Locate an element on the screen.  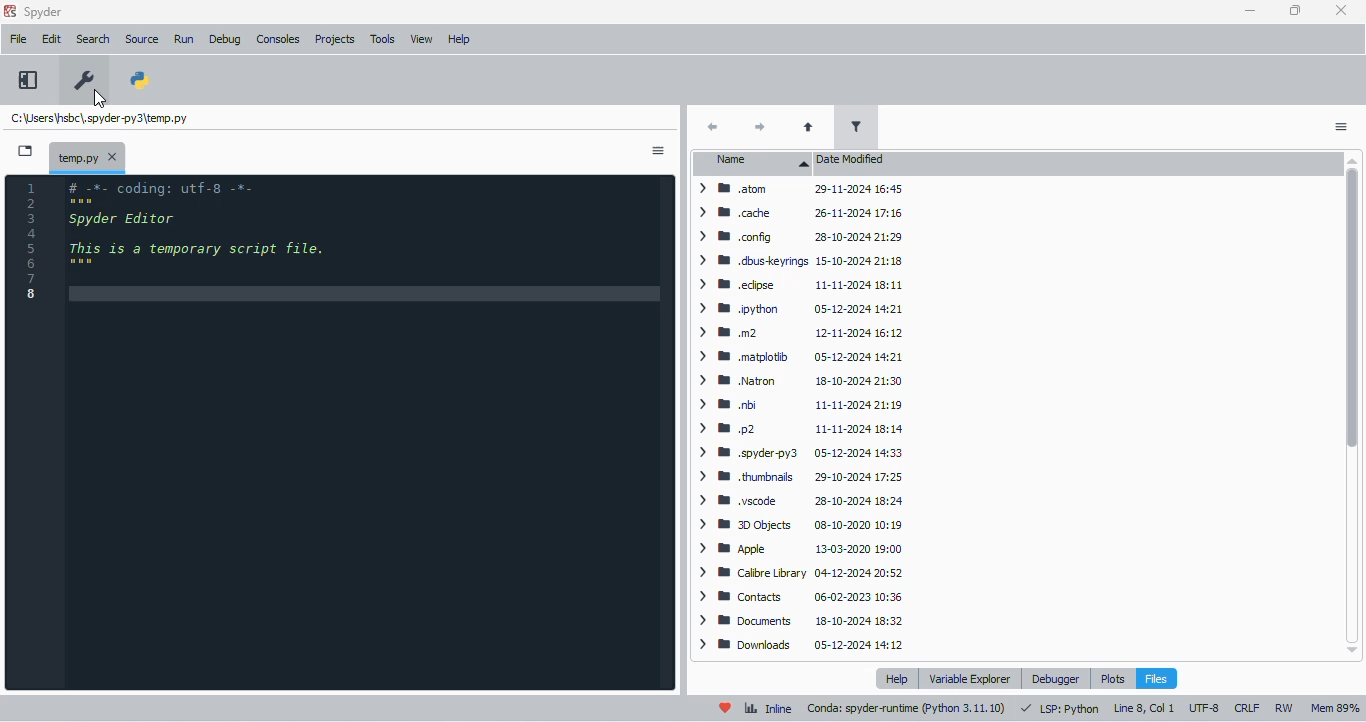
UTF-8 is located at coordinates (1205, 709).